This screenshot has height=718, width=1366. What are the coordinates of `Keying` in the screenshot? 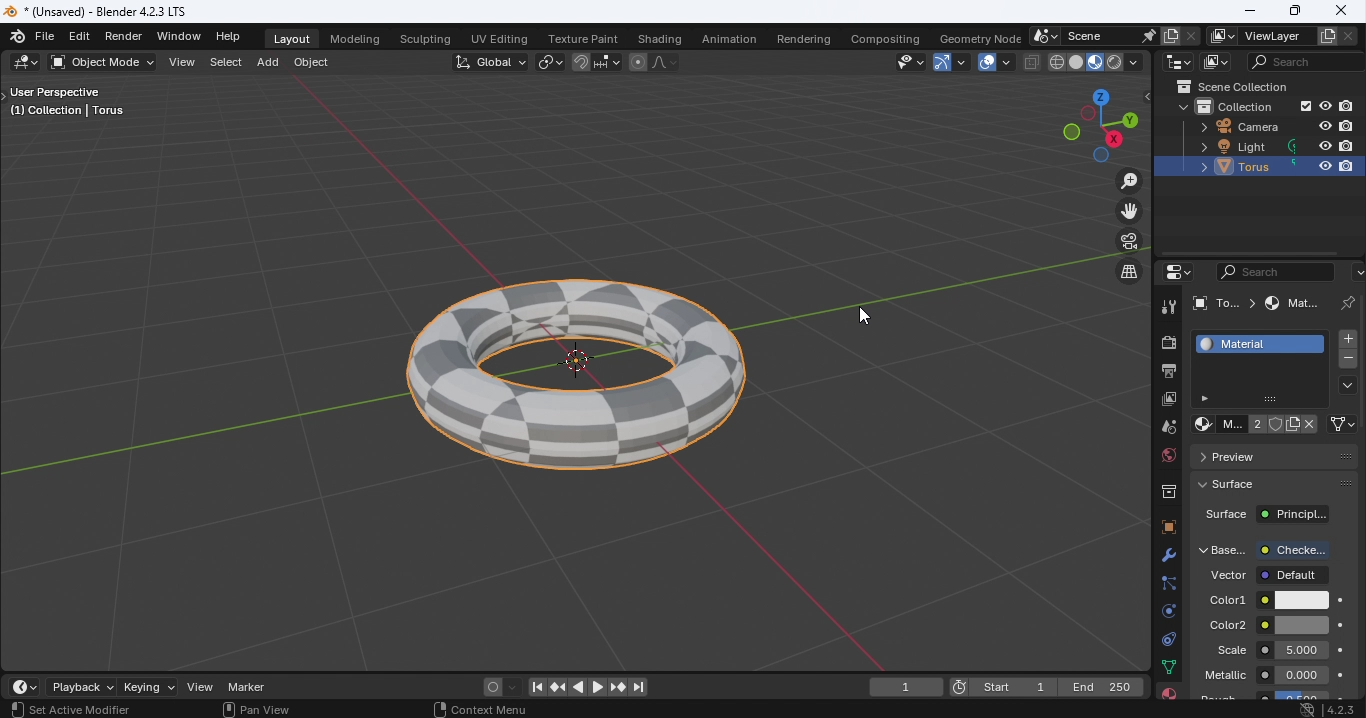 It's located at (147, 687).